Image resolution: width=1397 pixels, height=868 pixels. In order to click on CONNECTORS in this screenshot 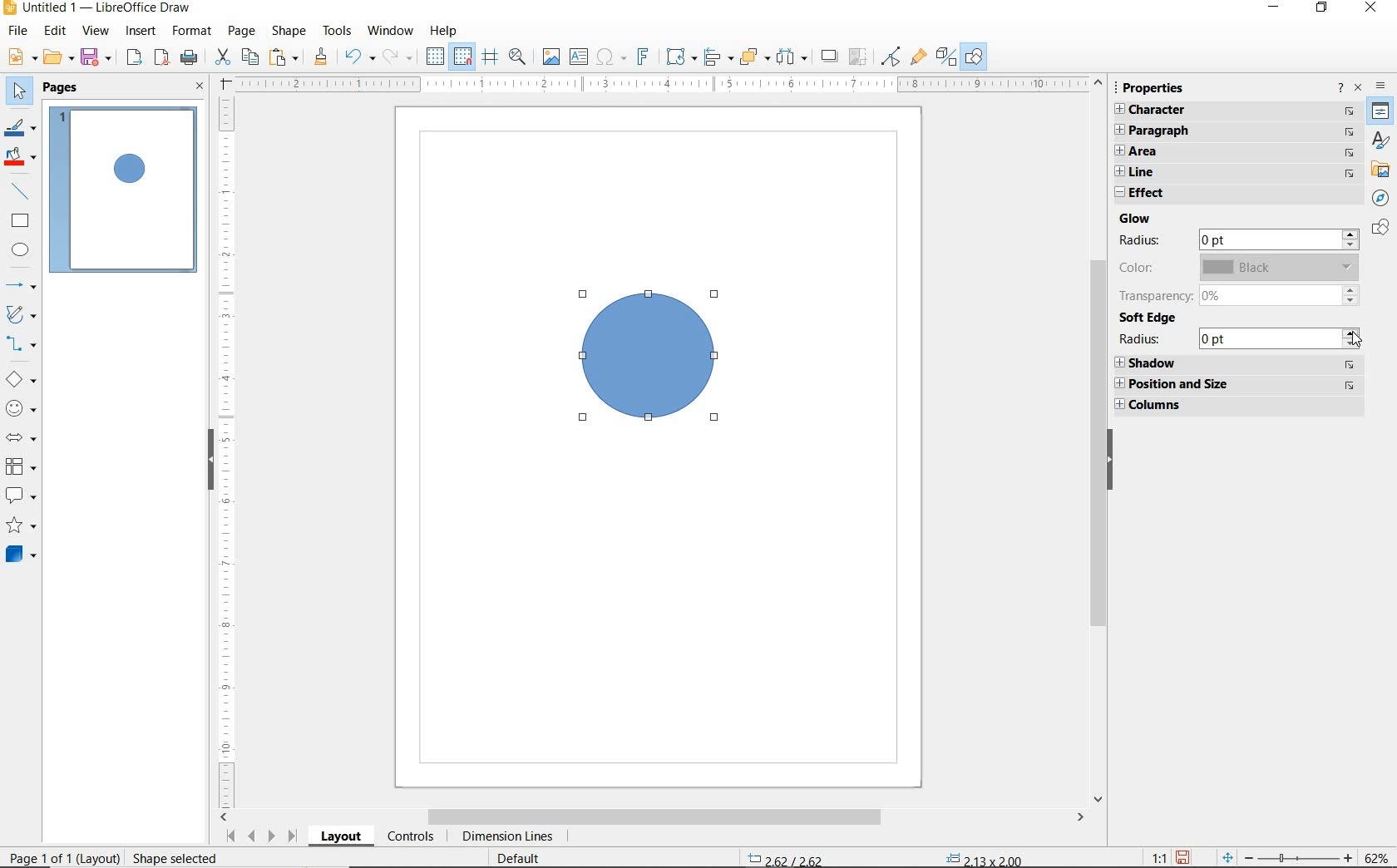, I will do `click(22, 345)`.